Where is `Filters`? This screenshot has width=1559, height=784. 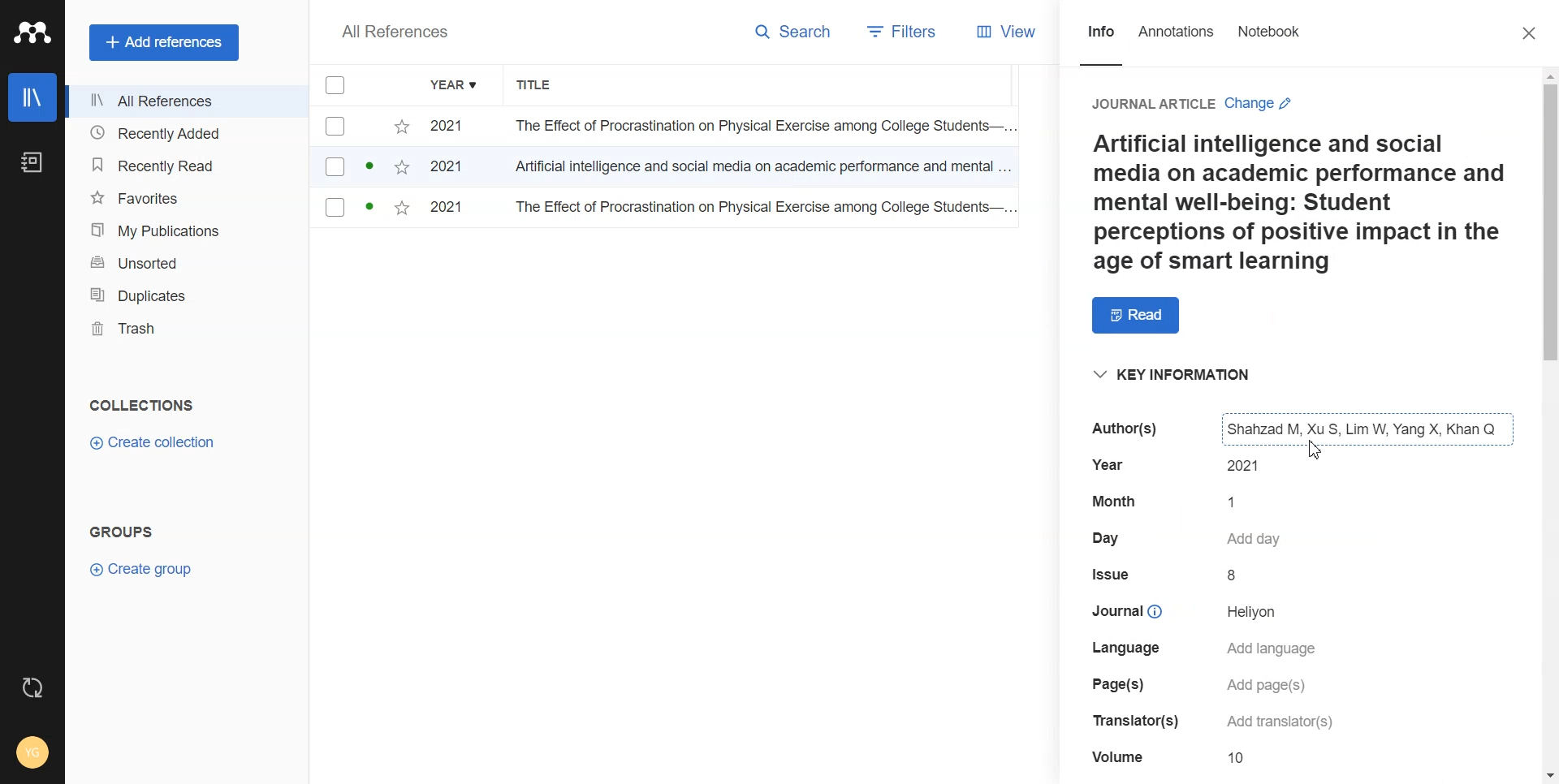
Filters is located at coordinates (899, 32).